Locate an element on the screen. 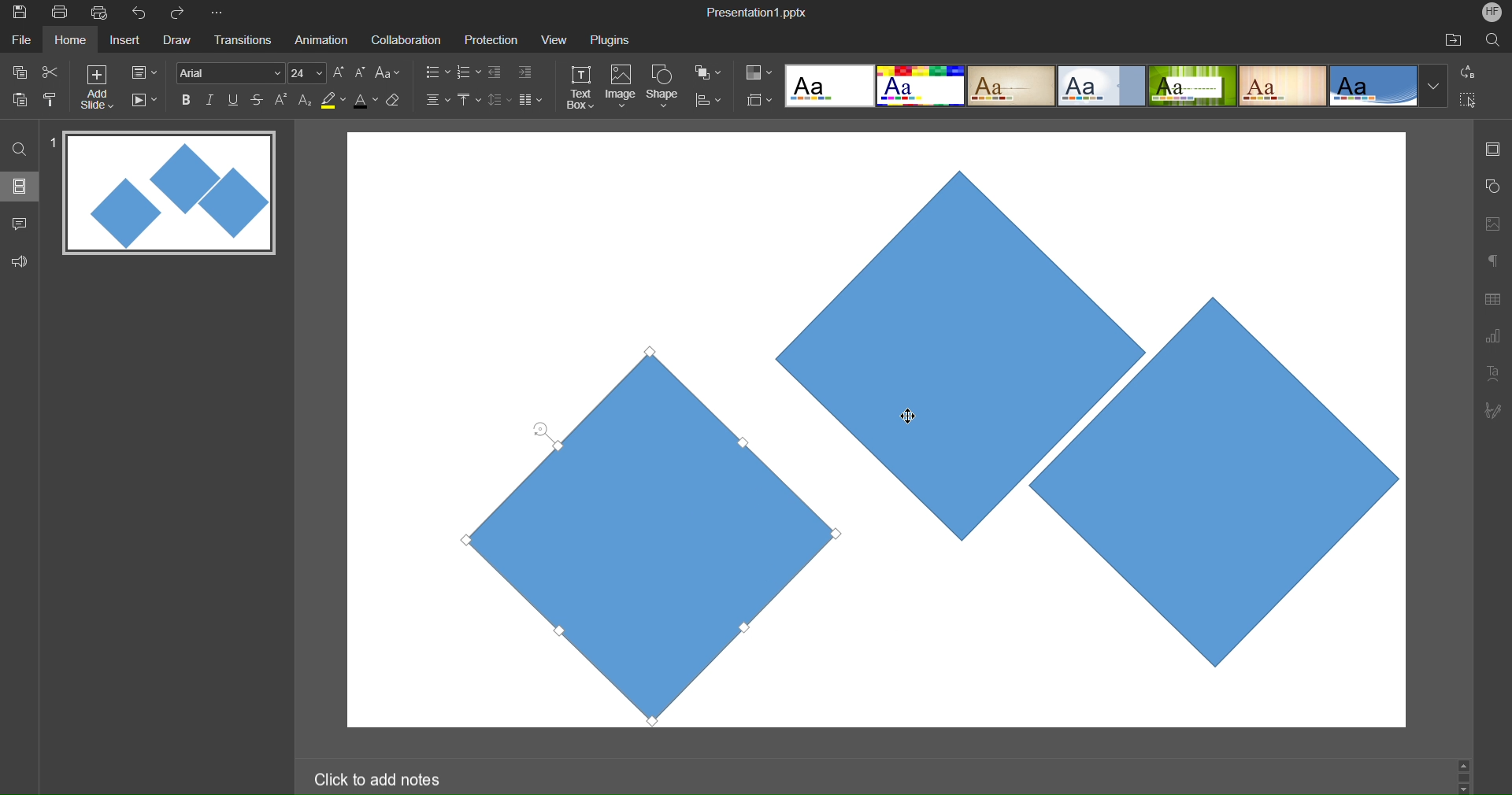  search is located at coordinates (20, 148).